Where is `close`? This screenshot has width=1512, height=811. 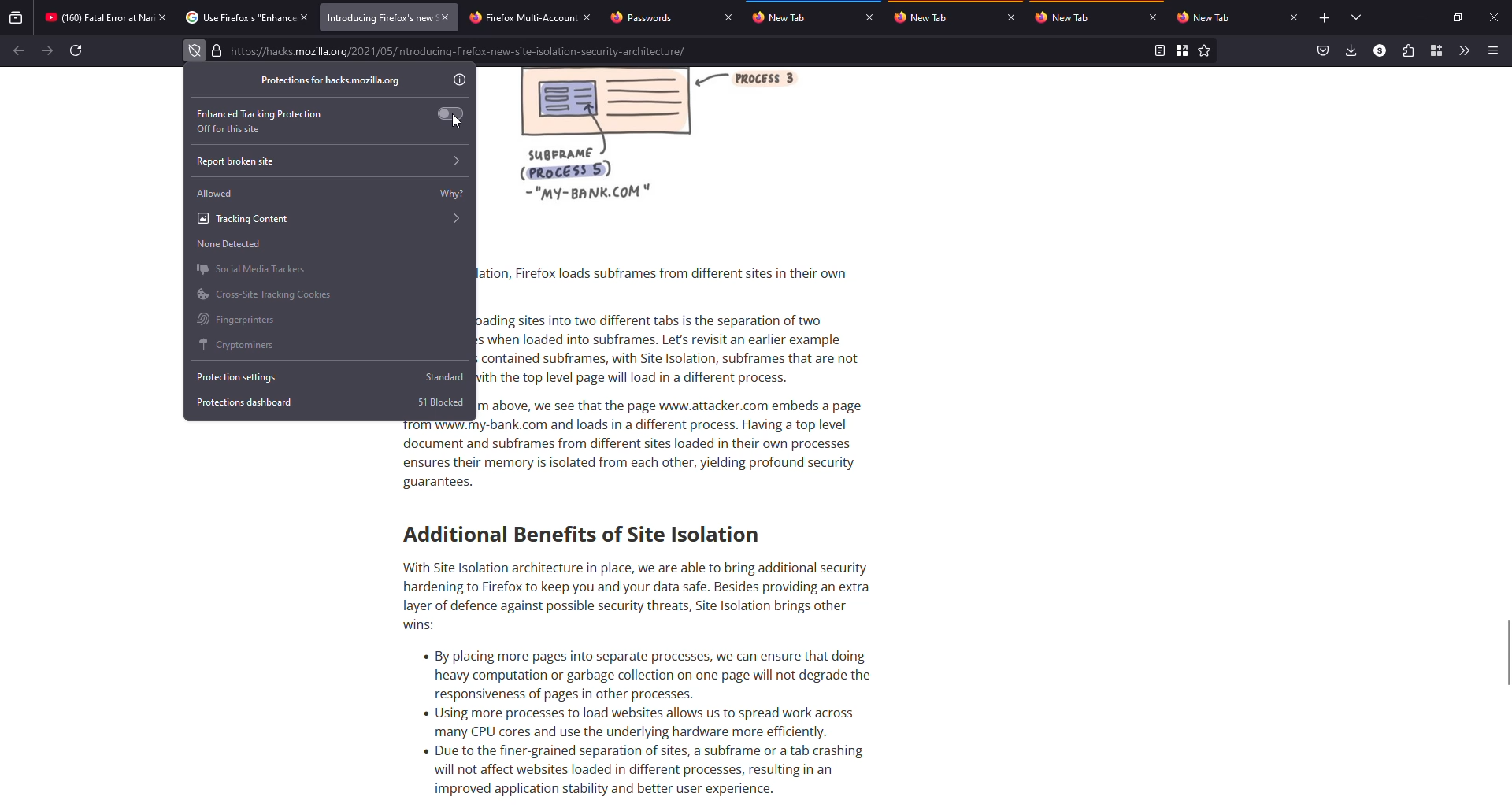 close is located at coordinates (728, 17).